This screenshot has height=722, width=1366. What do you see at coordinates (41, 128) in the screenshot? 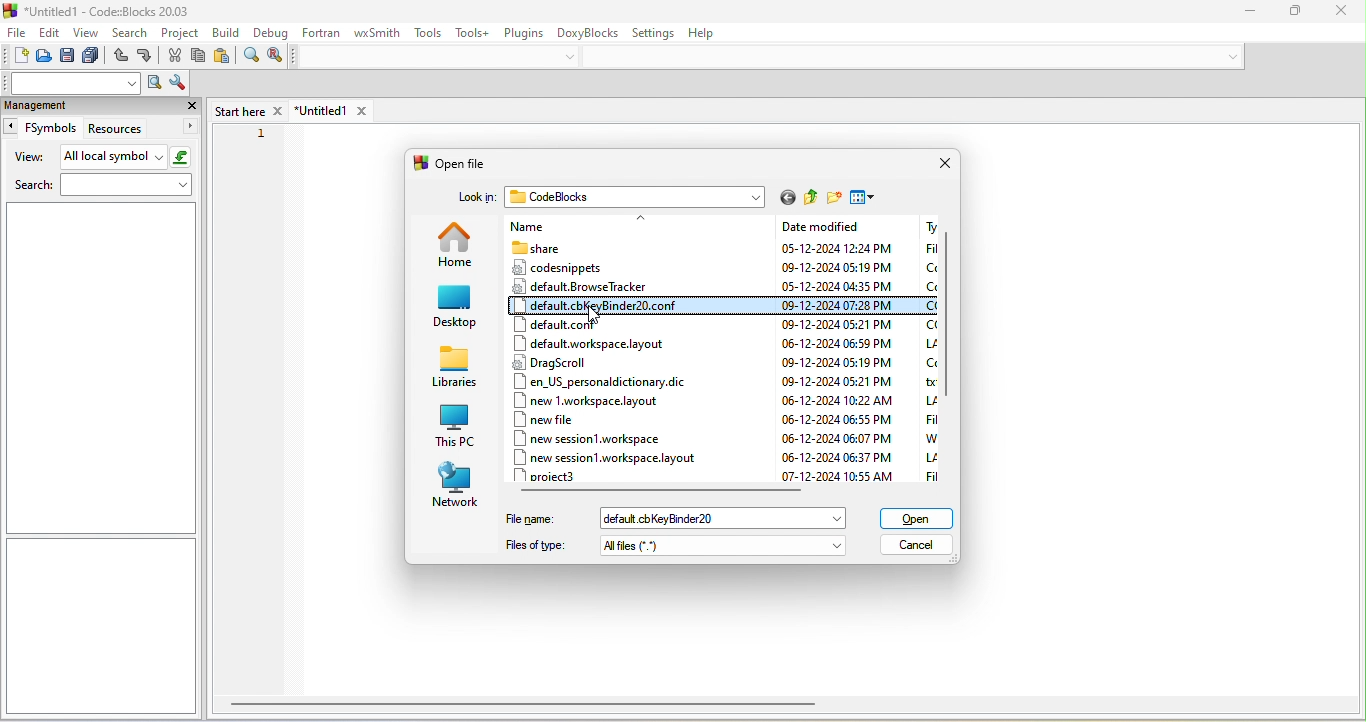
I see `fsymbols` at bounding box center [41, 128].